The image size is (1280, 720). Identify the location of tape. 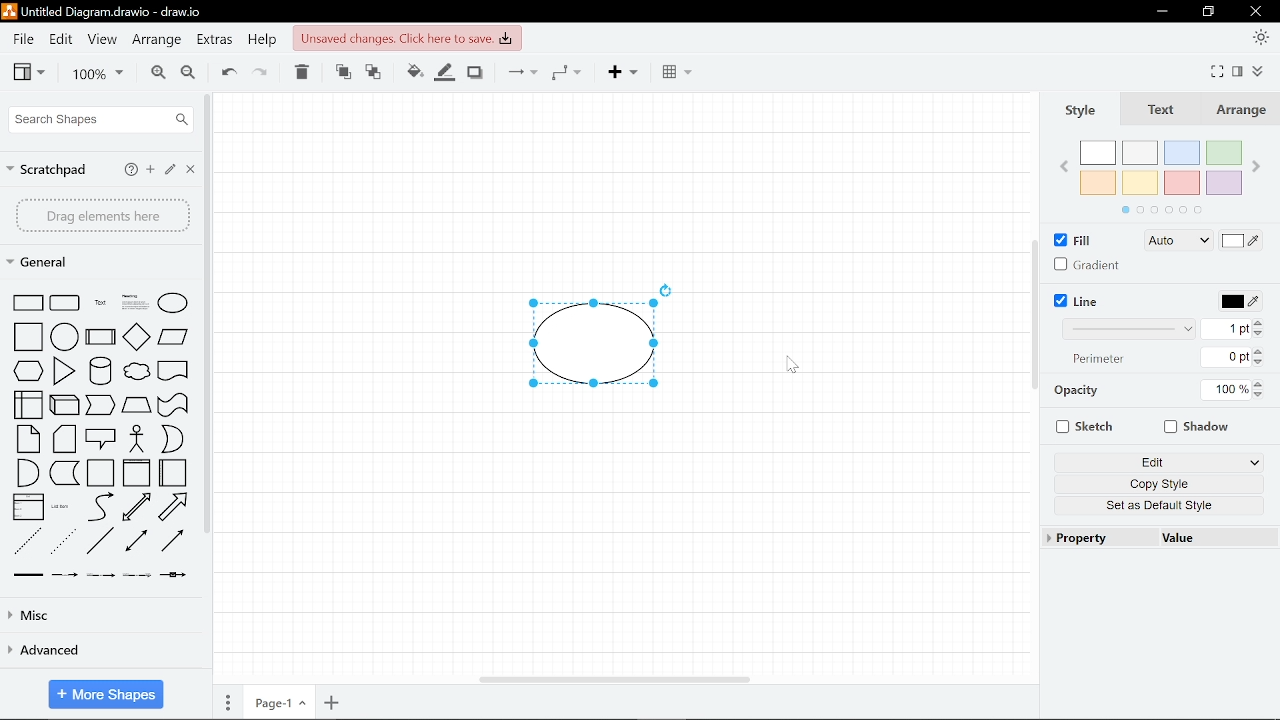
(175, 405).